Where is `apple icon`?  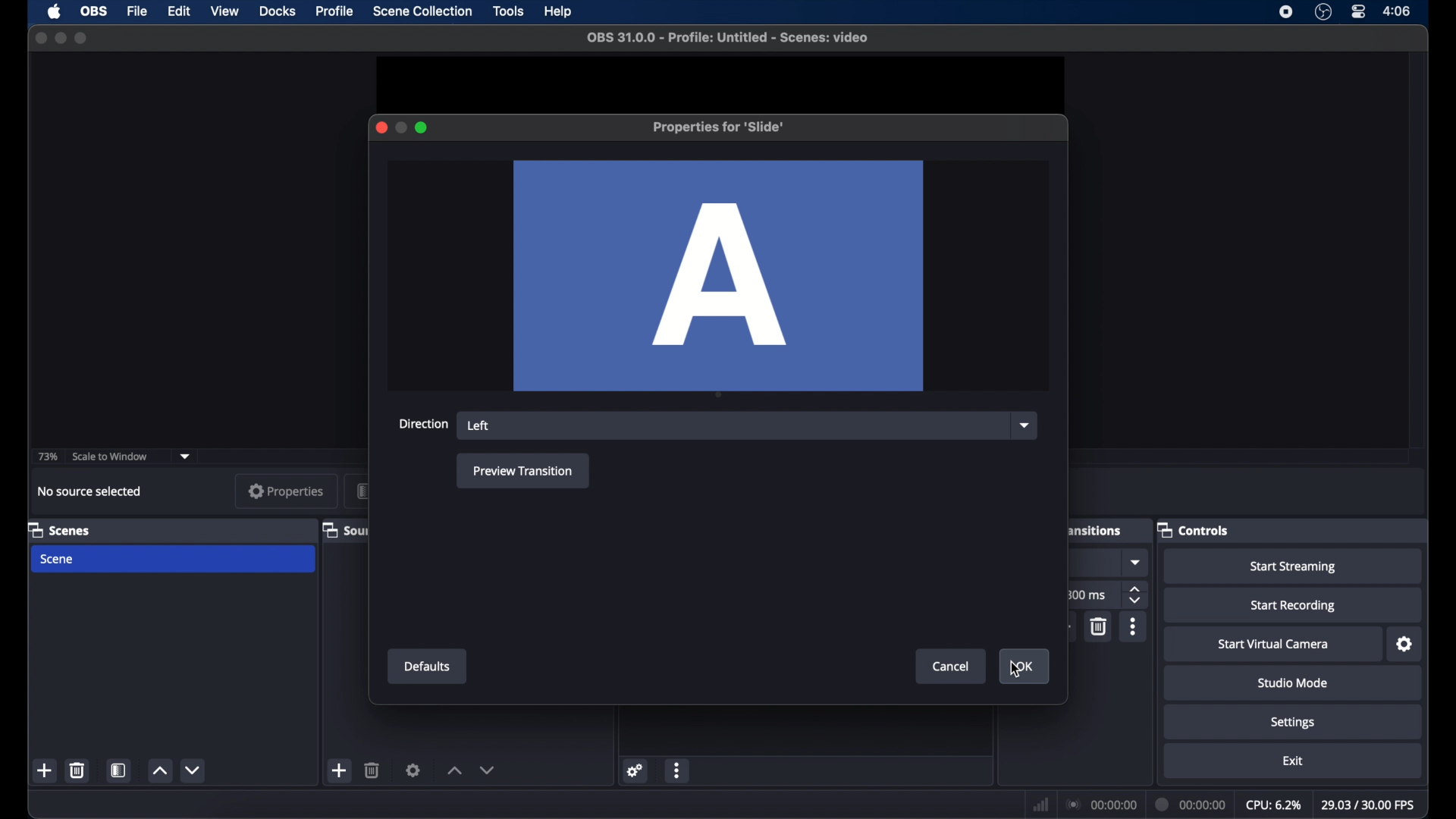 apple icon is located at coordinates (55, 11).